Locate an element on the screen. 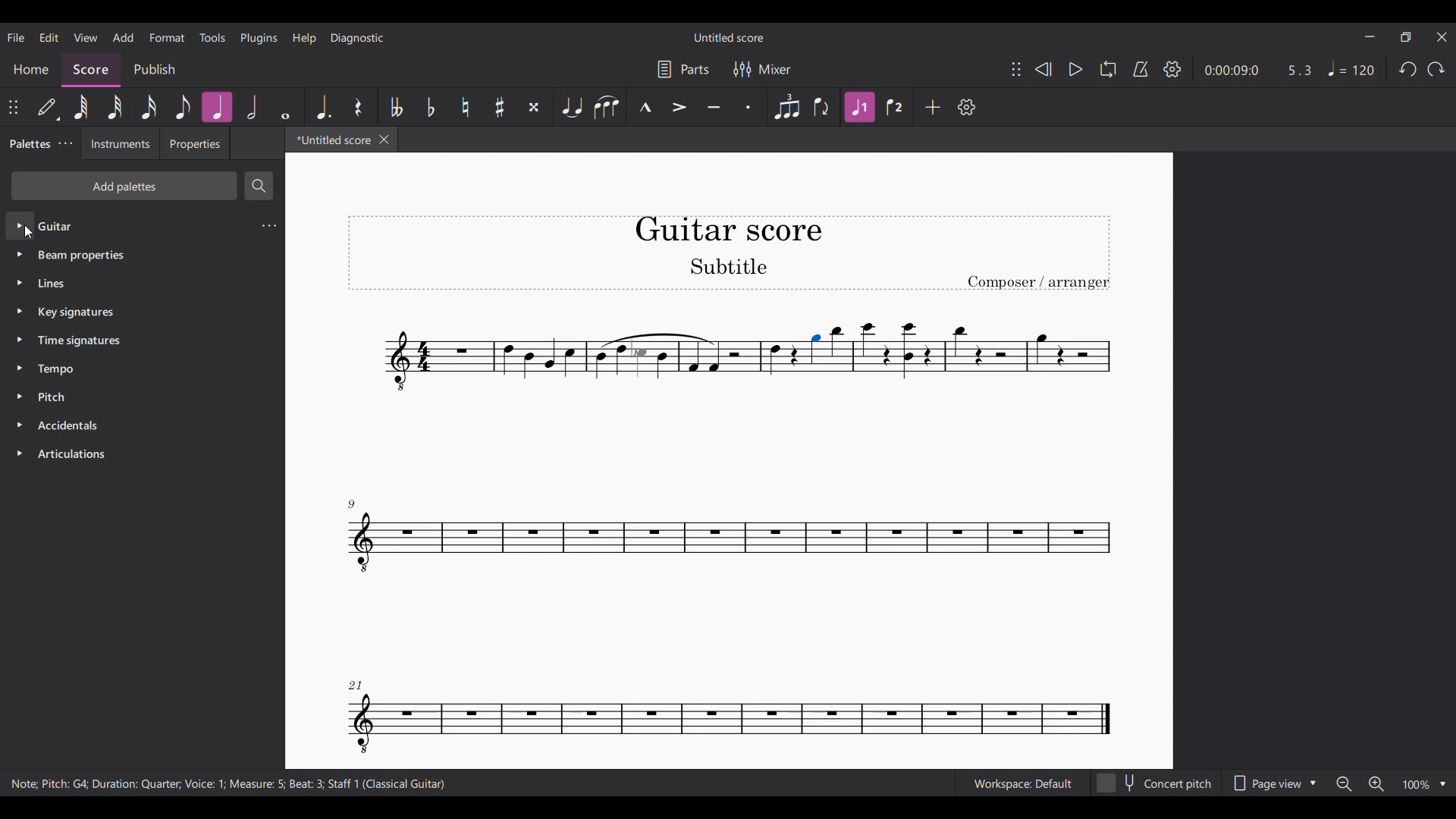 This screenshot has height=819, width=1456. Pitch is located at coordinates (54, 397).